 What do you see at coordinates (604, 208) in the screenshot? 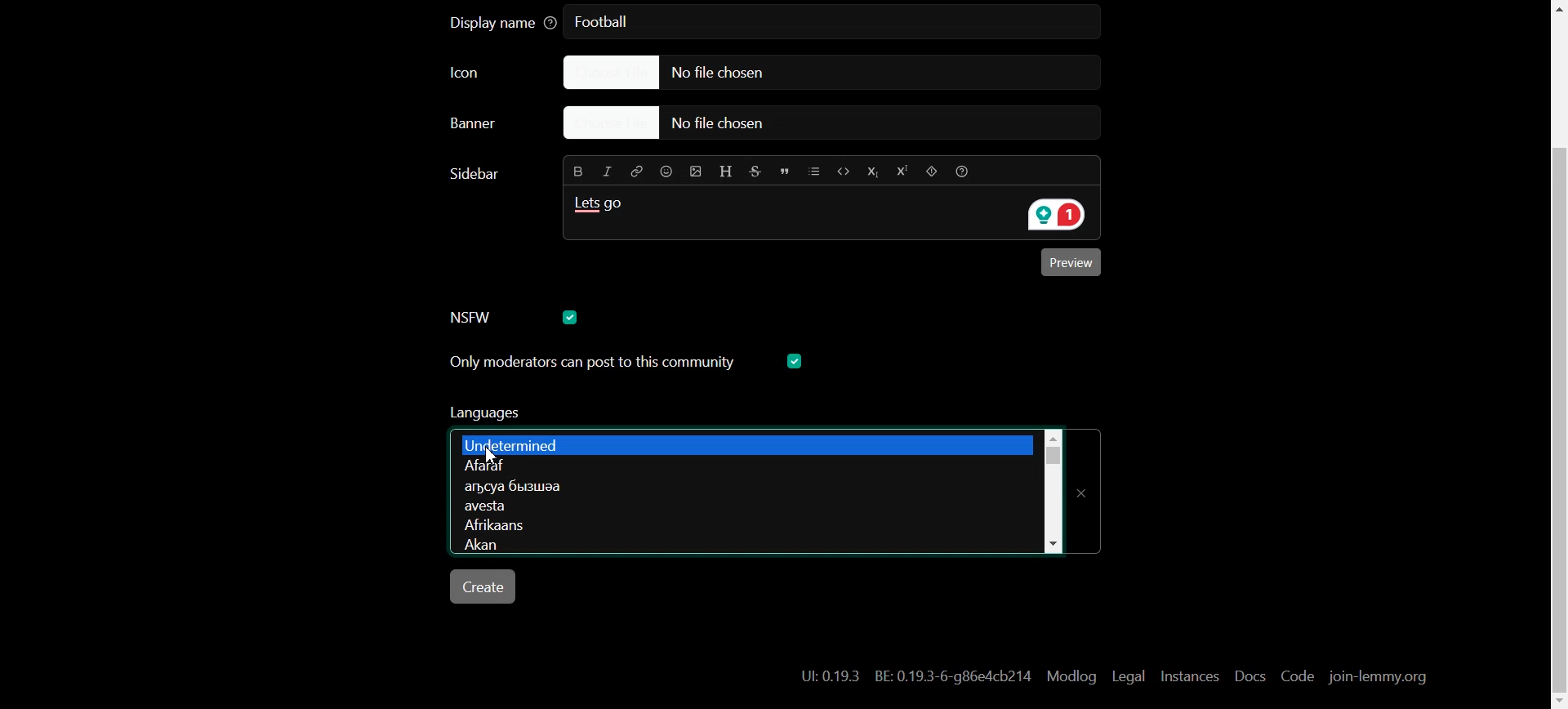
I see `Text` at bounding box center [604, 208].